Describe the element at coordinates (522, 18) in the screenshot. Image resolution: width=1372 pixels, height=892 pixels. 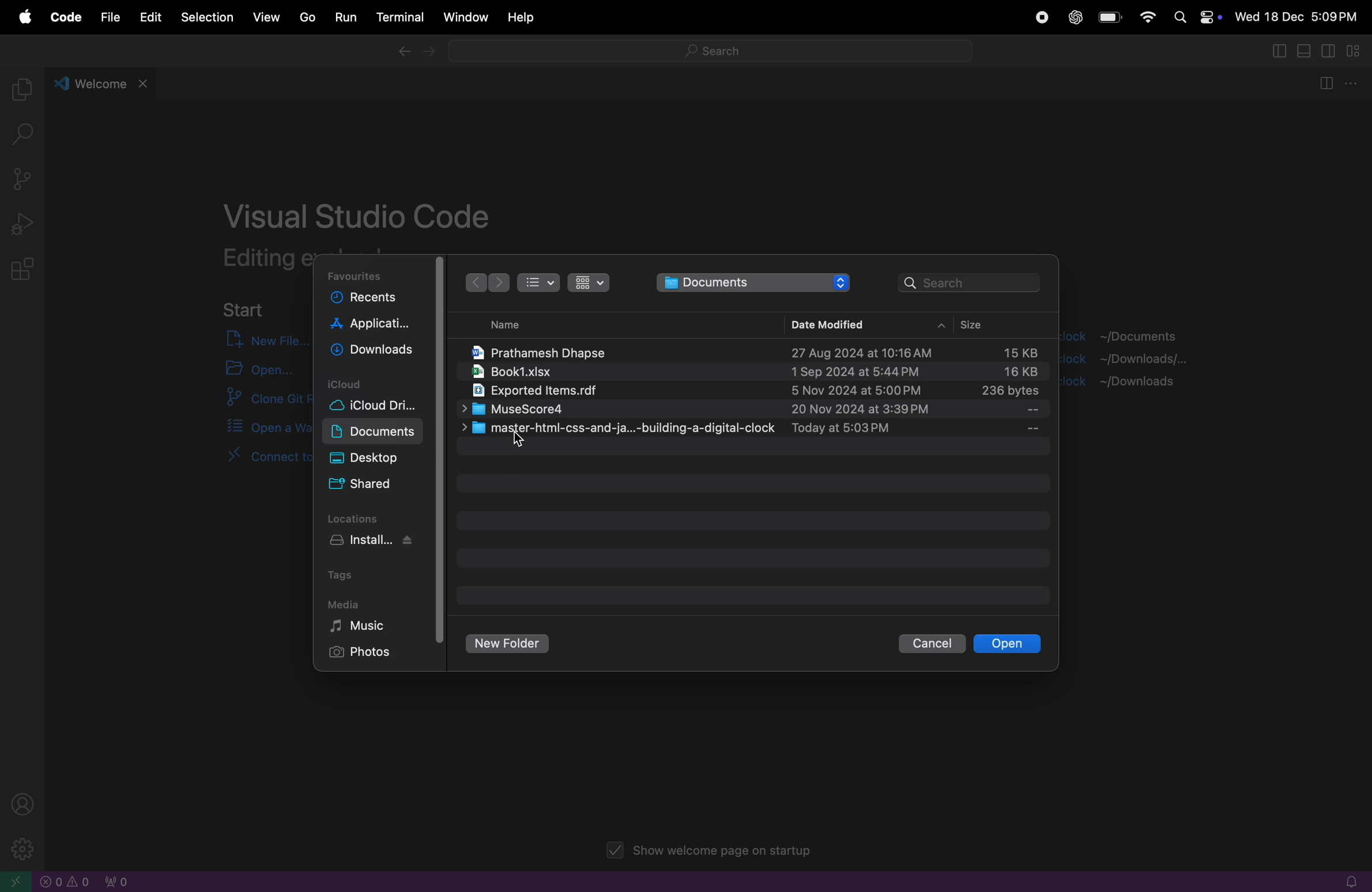
I see `help` at that location.